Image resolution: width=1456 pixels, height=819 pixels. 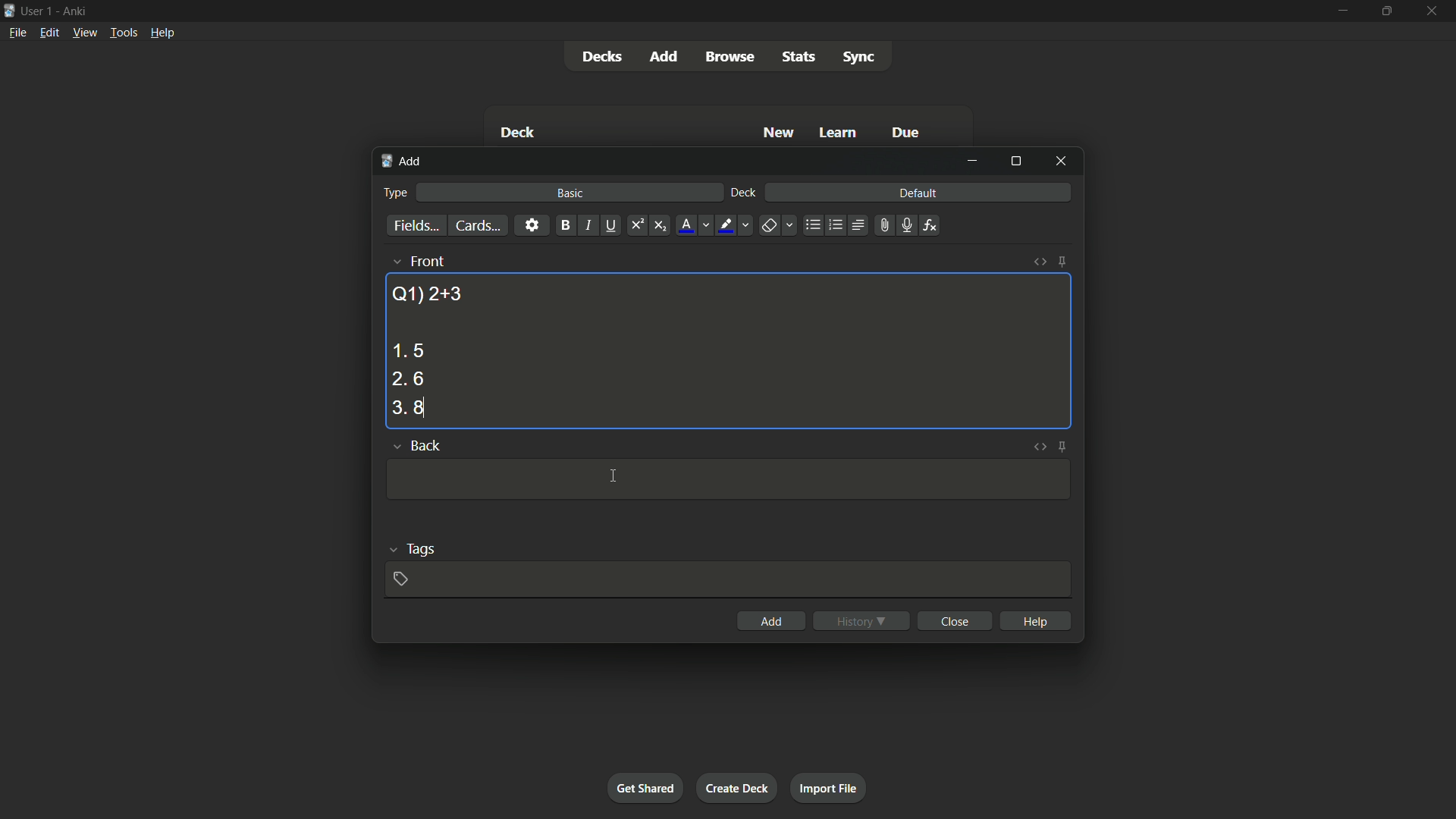 I want to click on basic, so click(x=571, y=193).